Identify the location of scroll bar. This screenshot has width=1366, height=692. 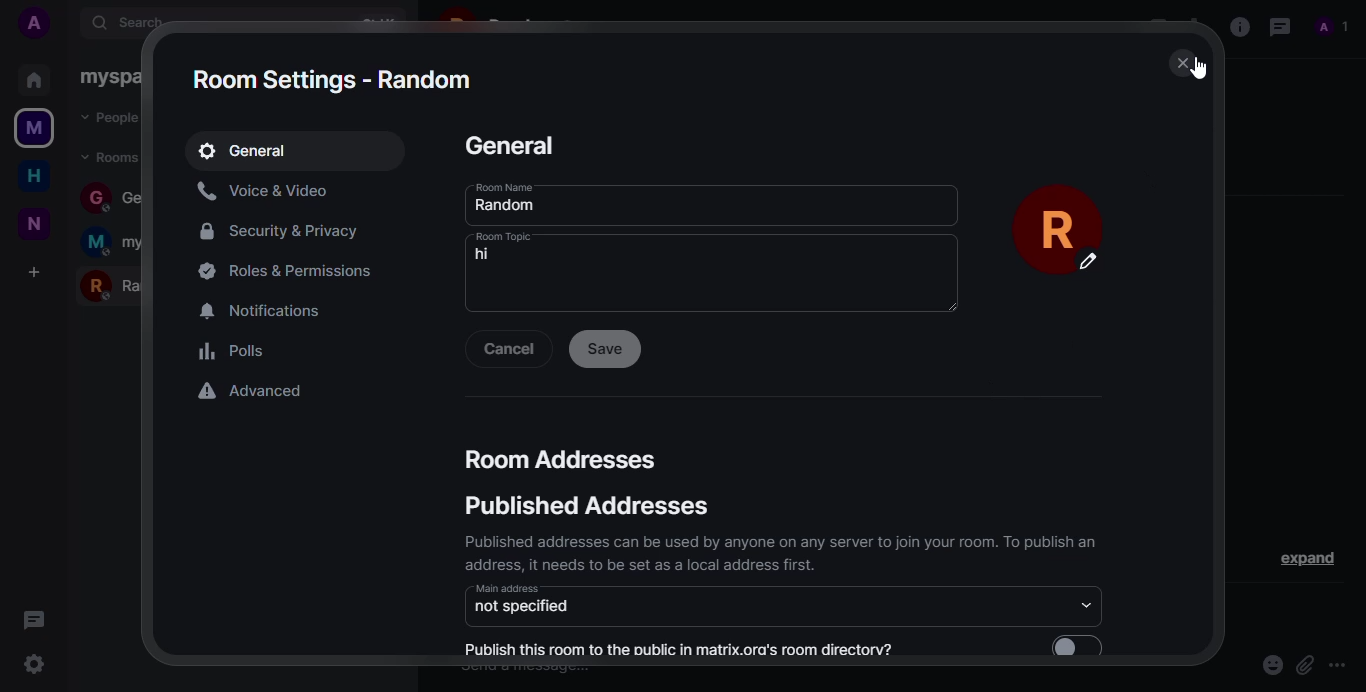
(1207, 232).